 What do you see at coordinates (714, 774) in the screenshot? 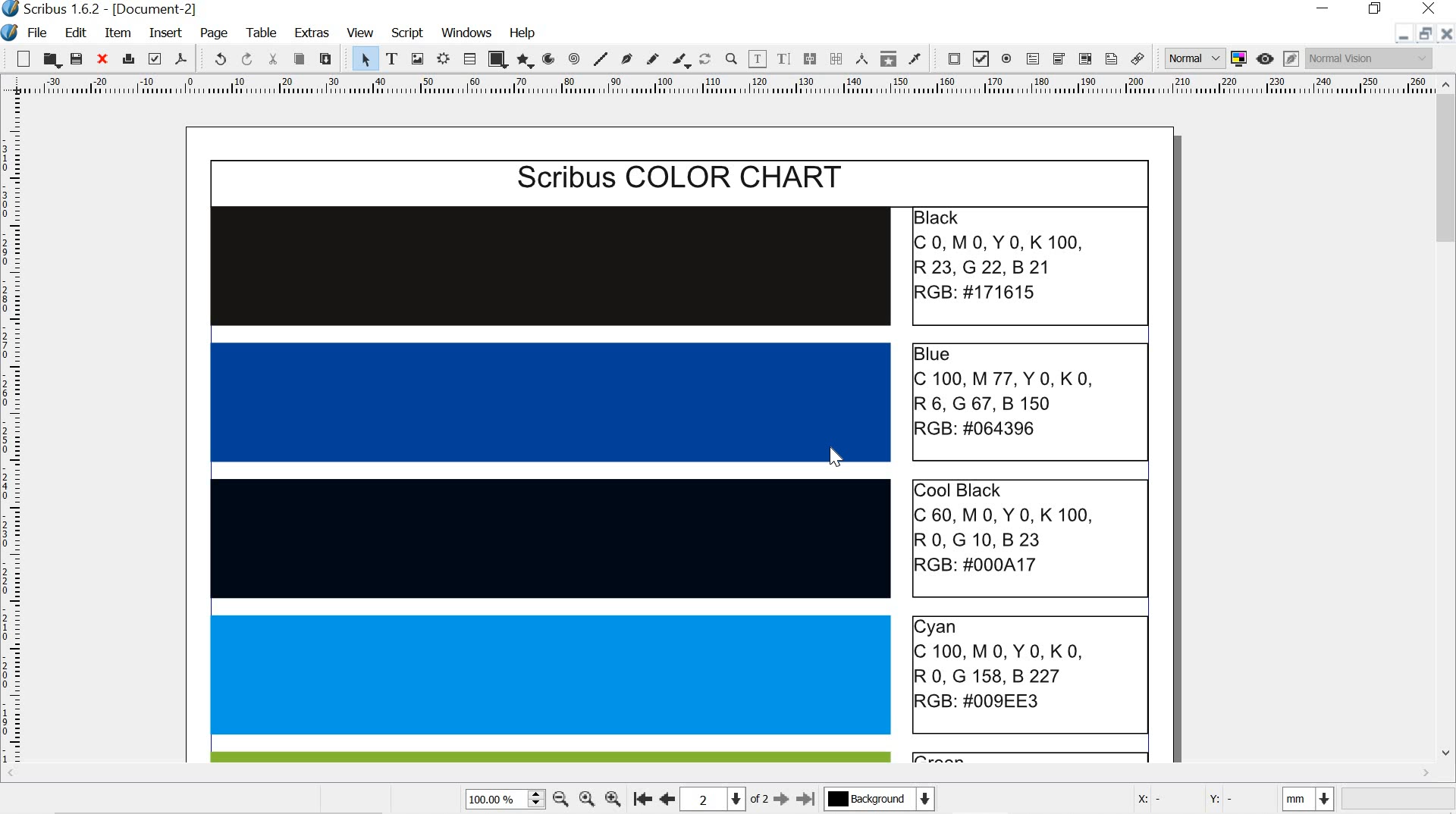
I see `scrollbar` at bounding box center [714, 774].